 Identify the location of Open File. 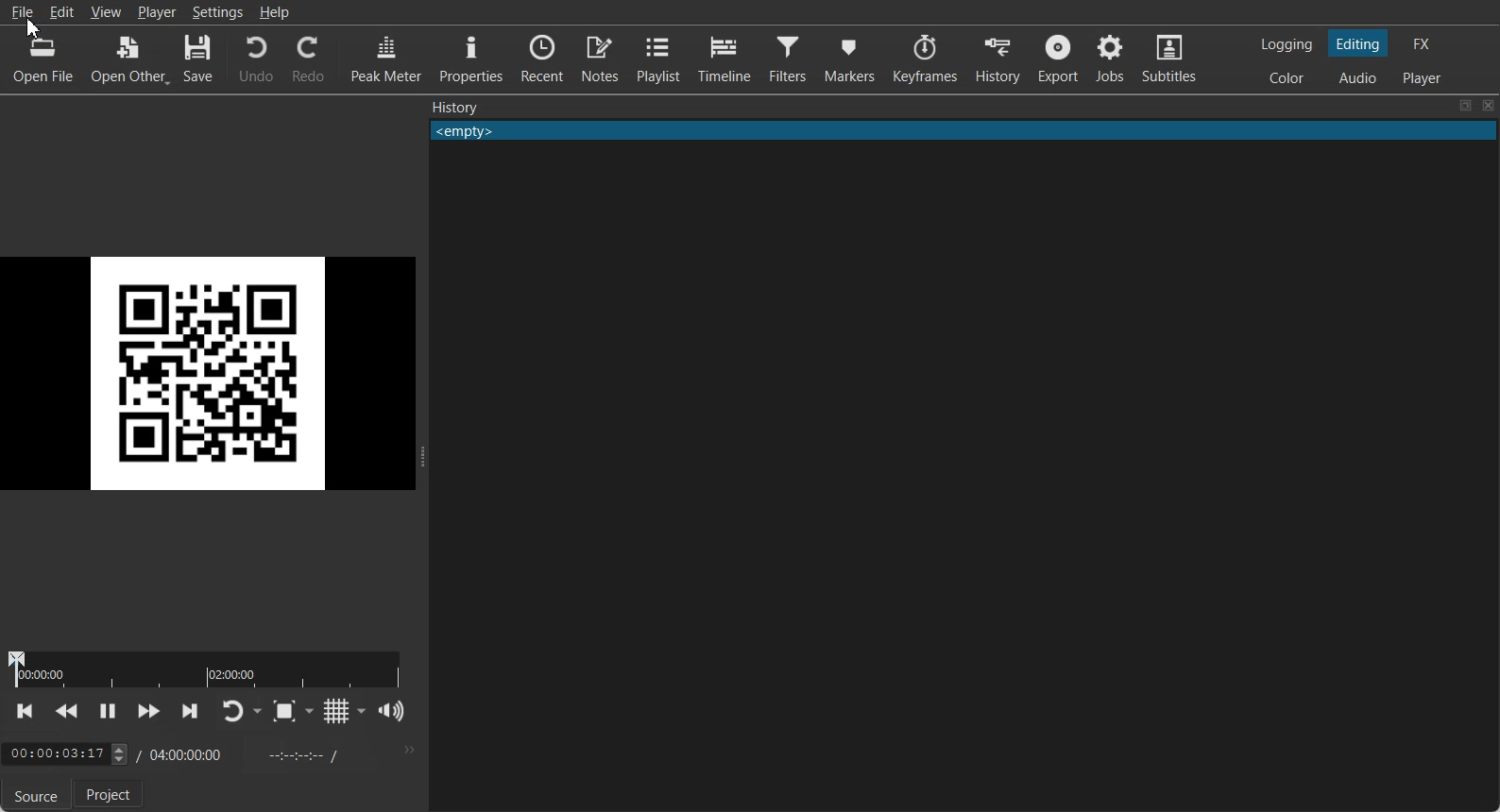
(43, 61).